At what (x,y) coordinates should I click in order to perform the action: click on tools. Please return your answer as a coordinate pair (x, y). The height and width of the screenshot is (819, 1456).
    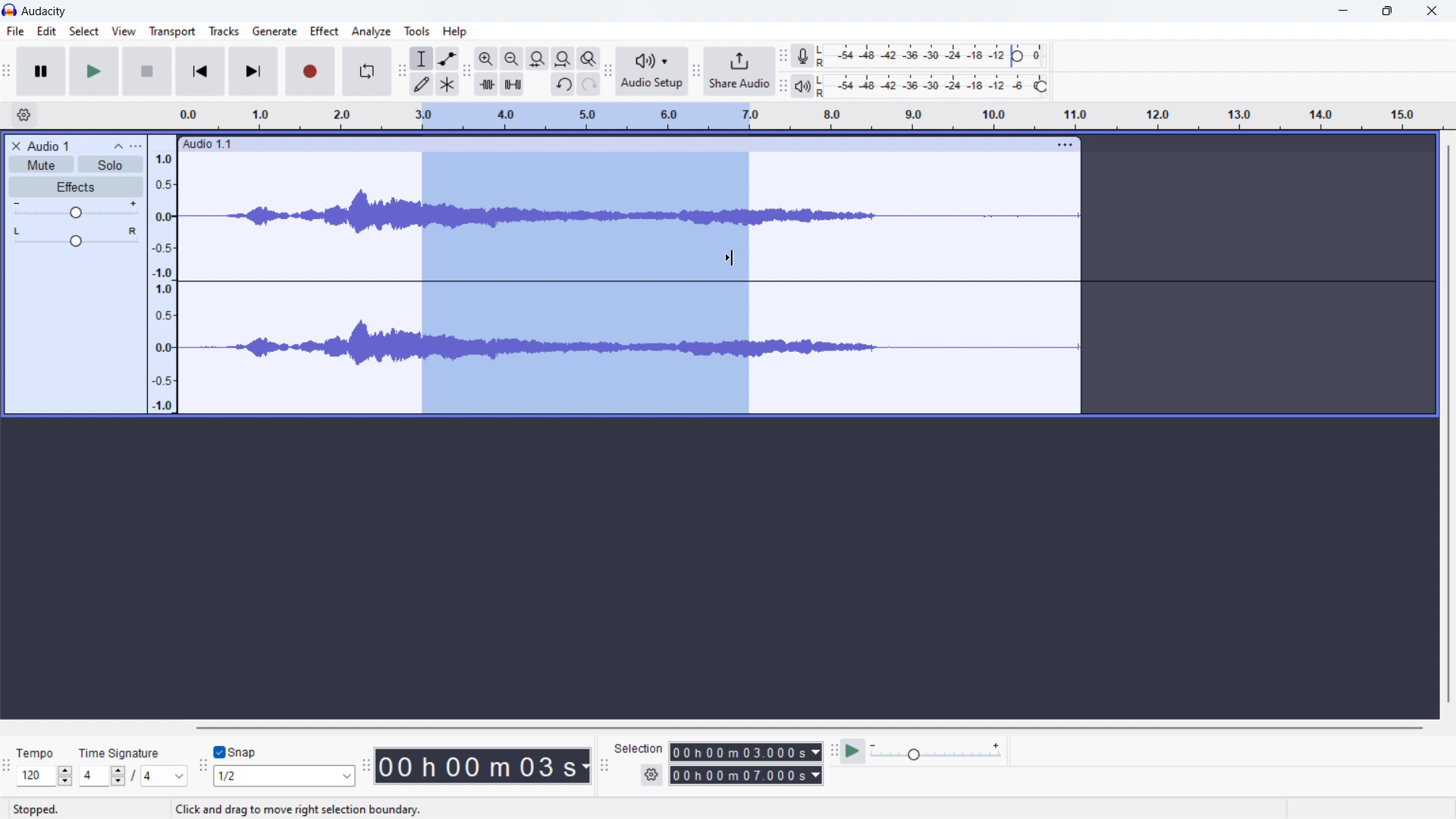
    Looking at the image, I should click on (418, 31).